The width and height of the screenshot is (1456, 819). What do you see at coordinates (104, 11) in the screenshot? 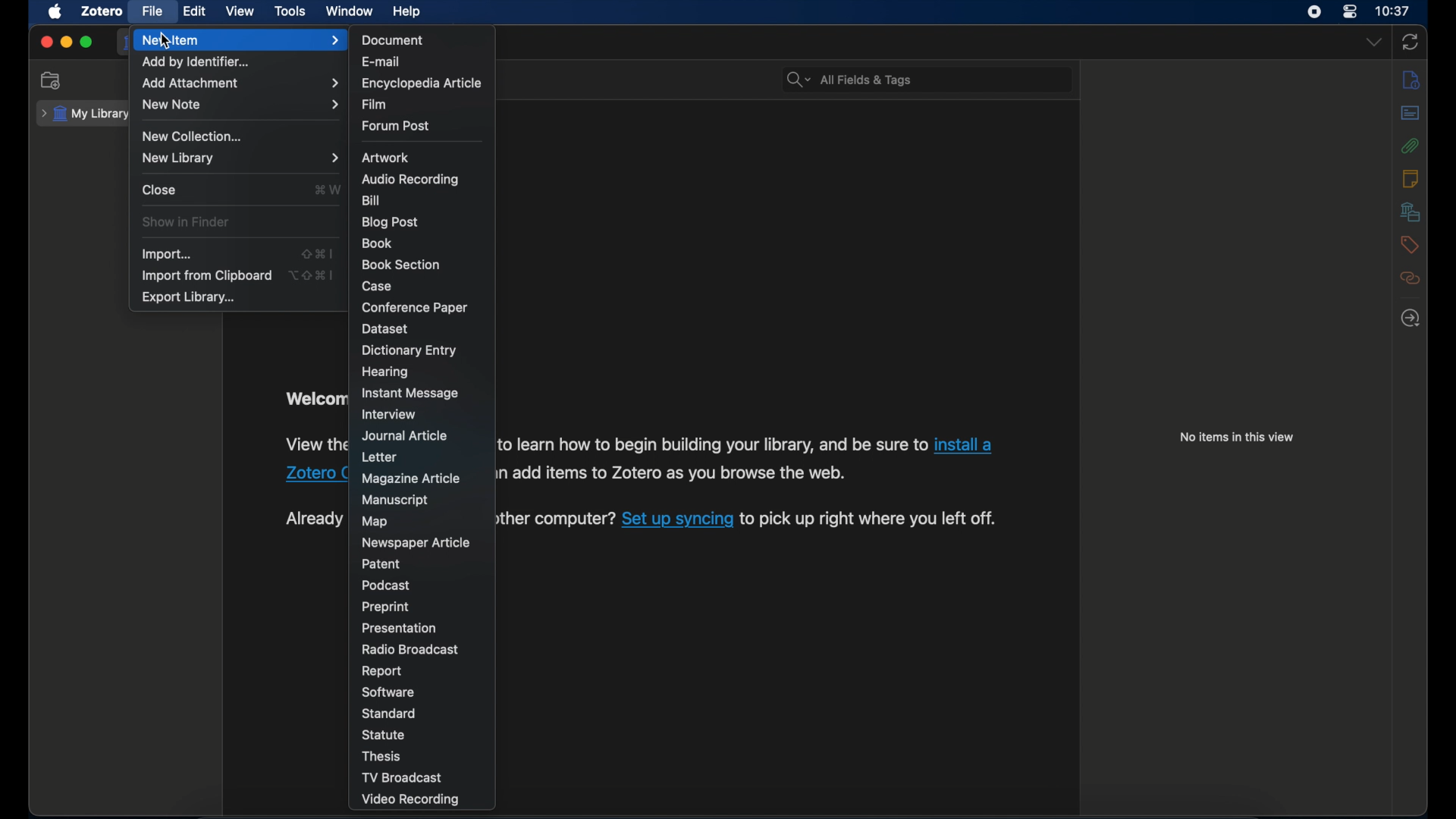
I see `zotero` at bounding box center [104, 11].